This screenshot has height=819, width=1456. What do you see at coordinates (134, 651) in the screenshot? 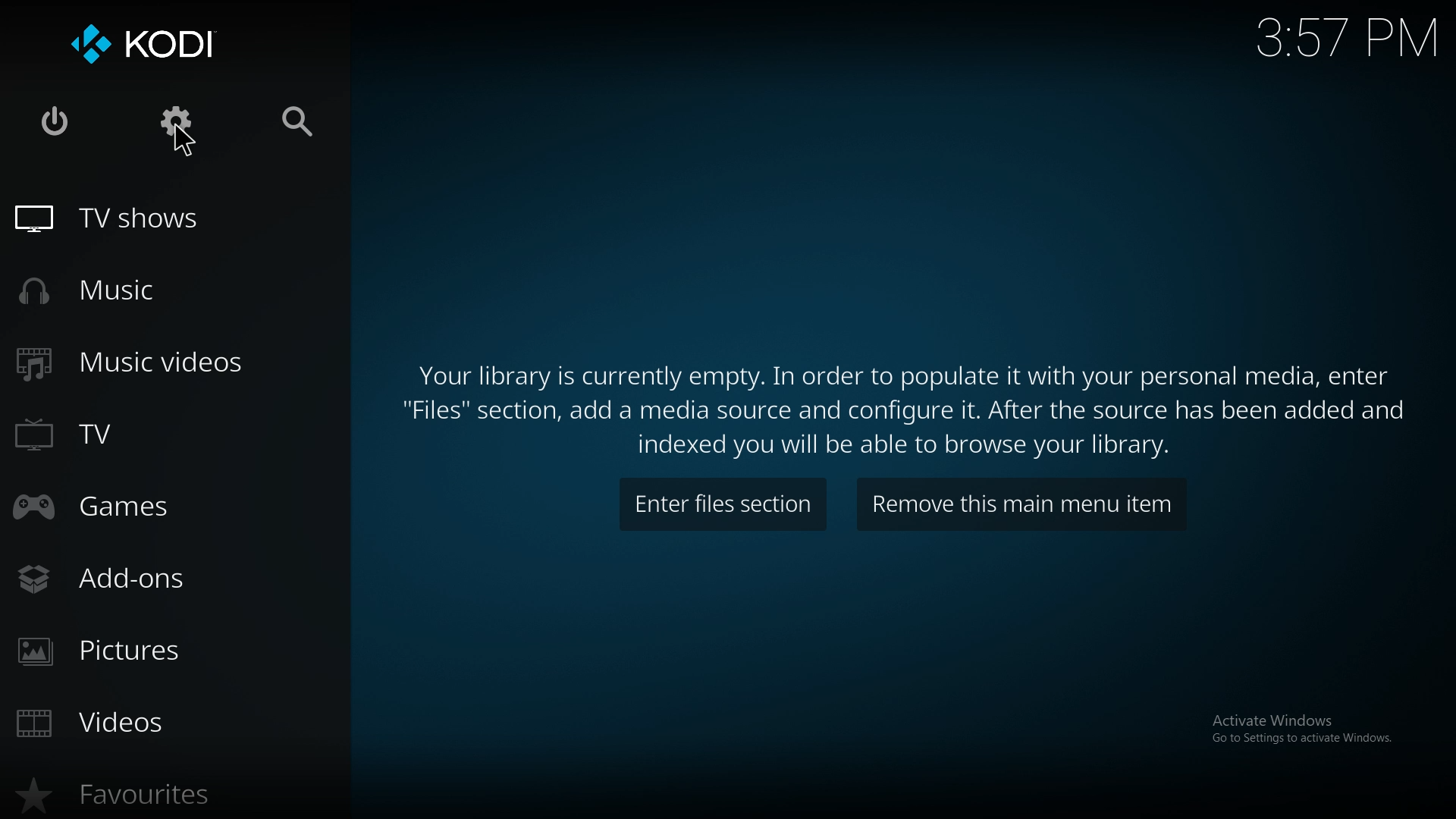
I see `pictures` at bounding box center [134, 651].